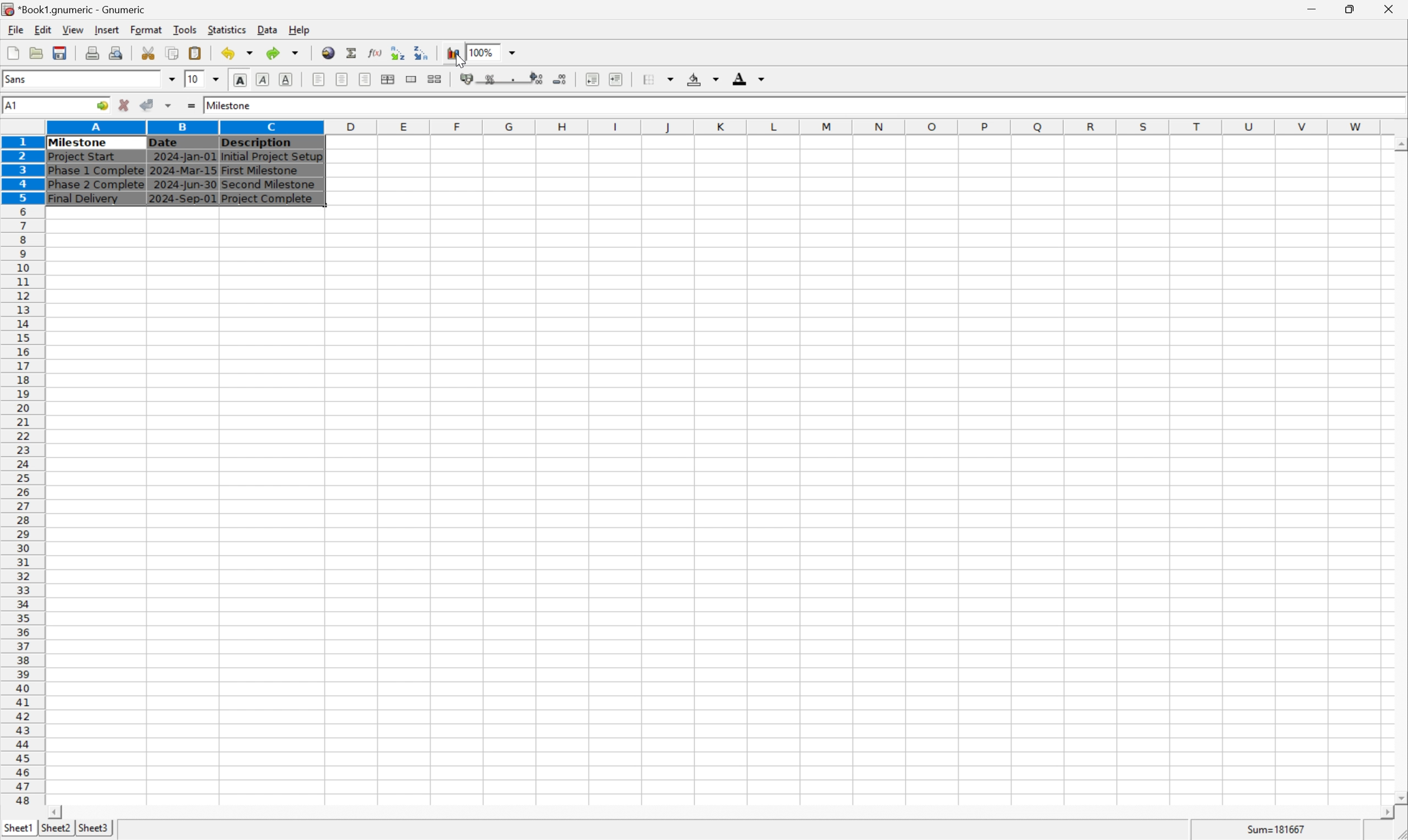  What do you see at coordinates (183, 170) in the screenshot?
I see `Table` at bounding box center [183, 170].